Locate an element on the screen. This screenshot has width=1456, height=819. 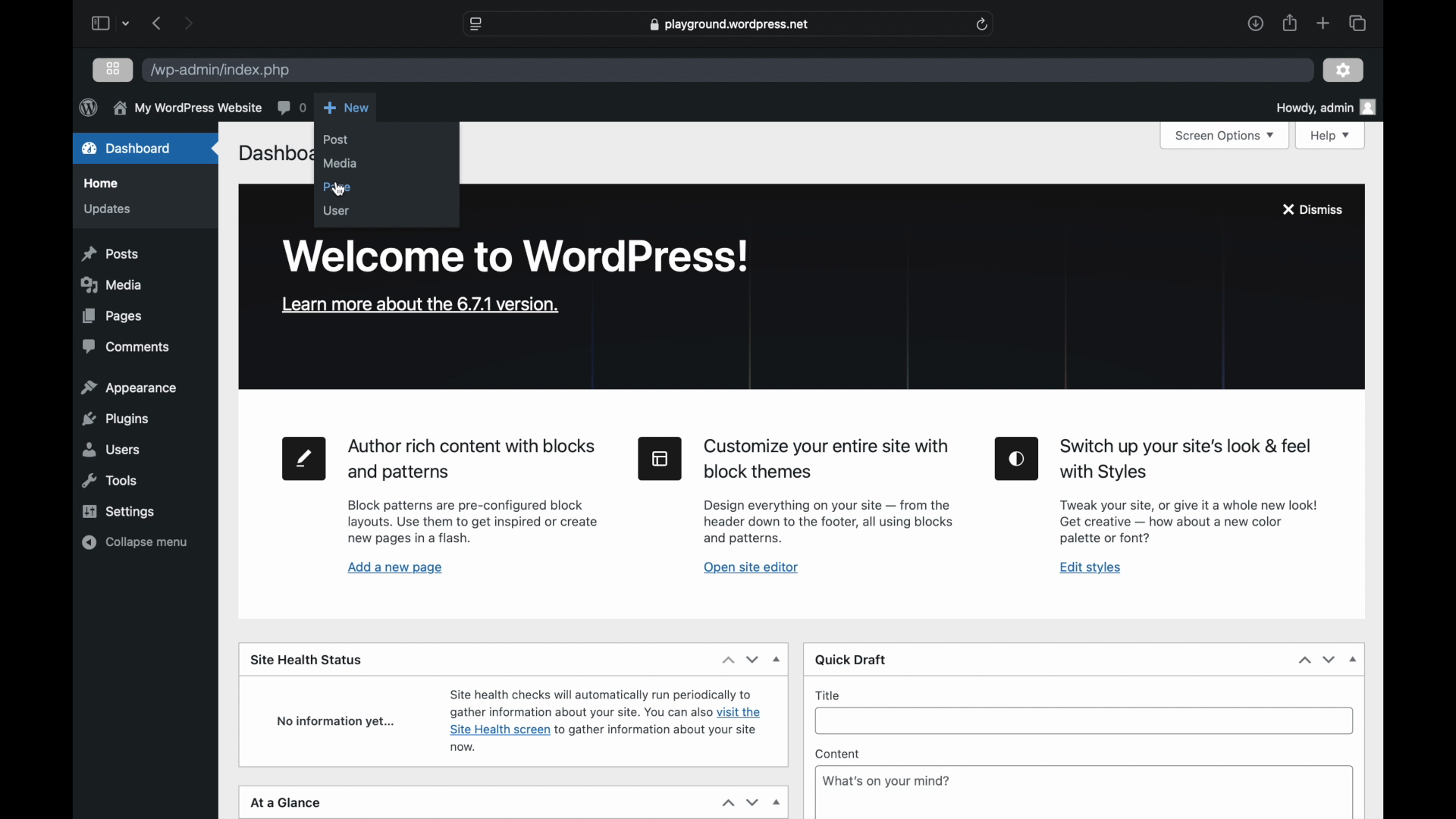
updates is located at coordinates (108, 210).